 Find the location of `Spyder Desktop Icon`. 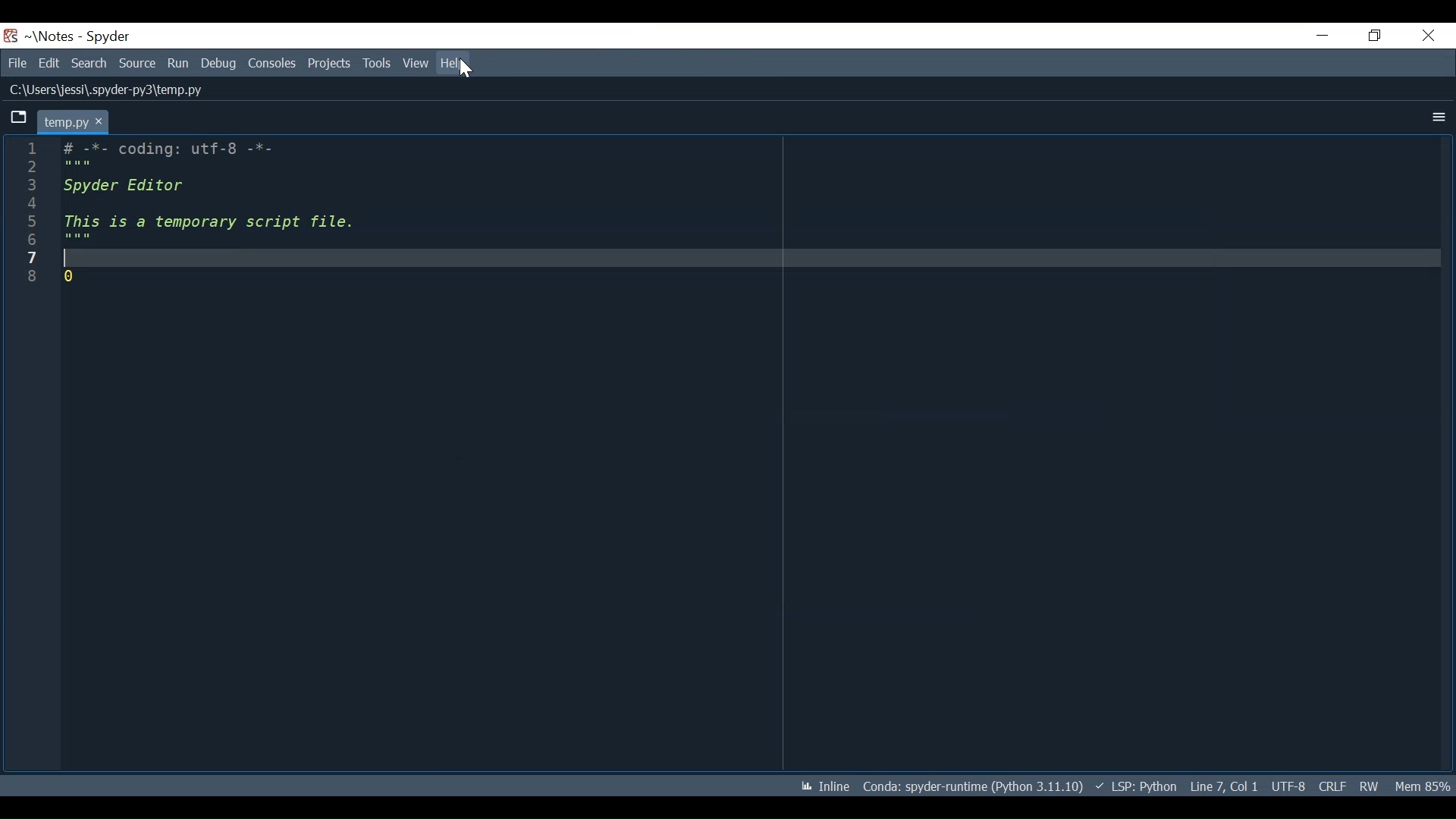

Spyder Desktop Icon is located at coordinates (11, 36).